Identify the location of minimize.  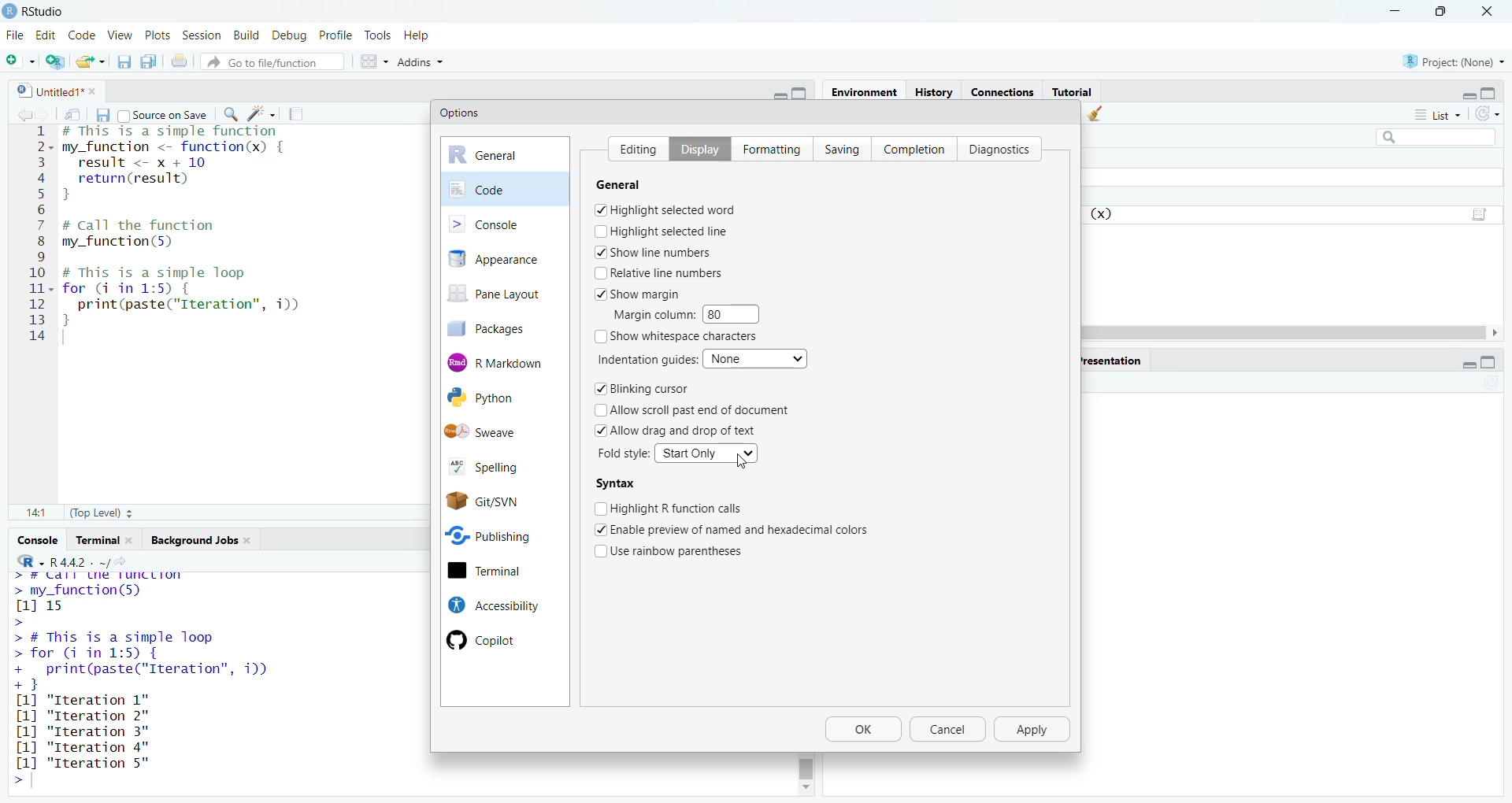
(1462, 364).